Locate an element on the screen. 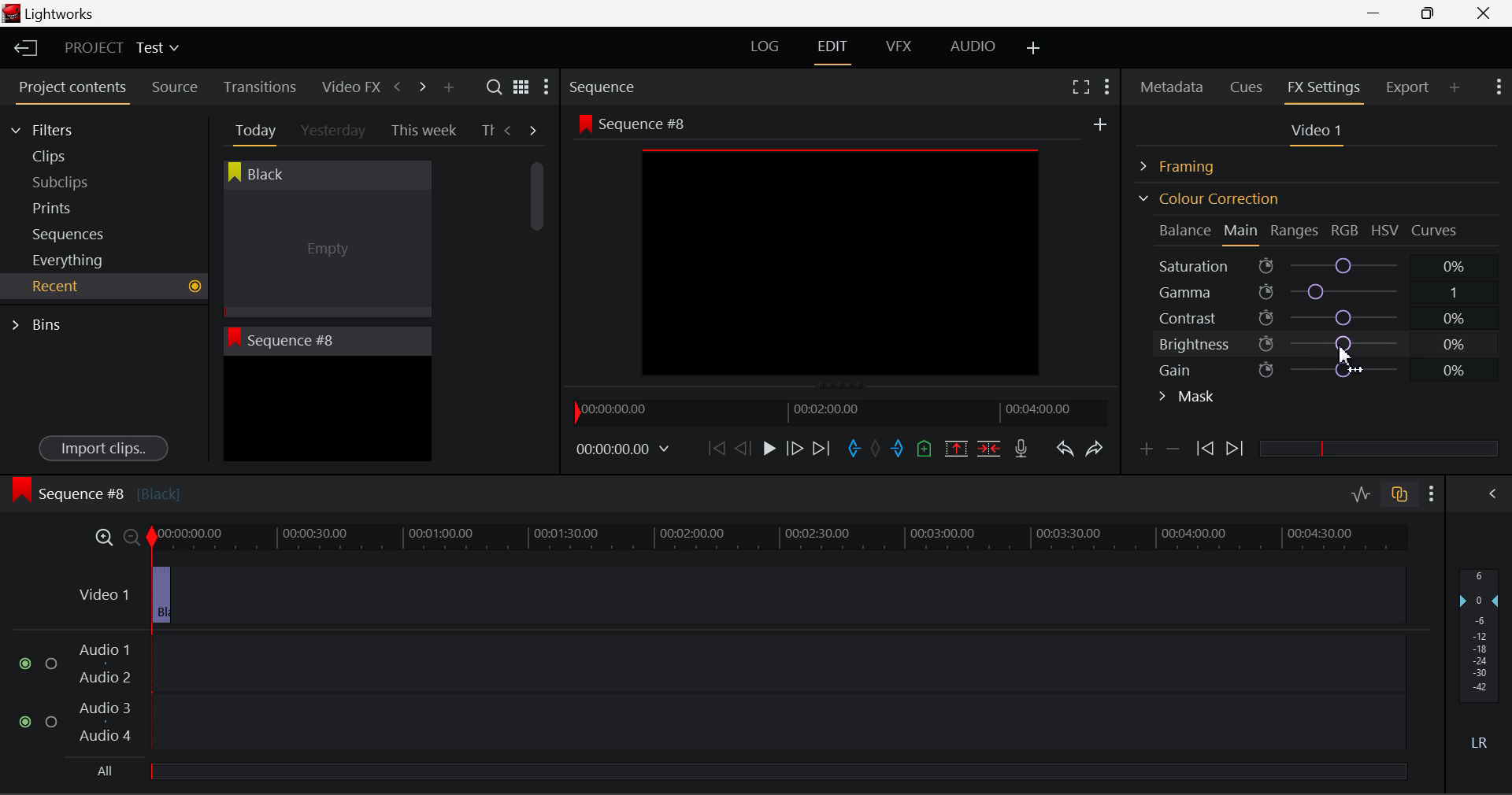  Sequence #8 is located at coordinates (95, 490).